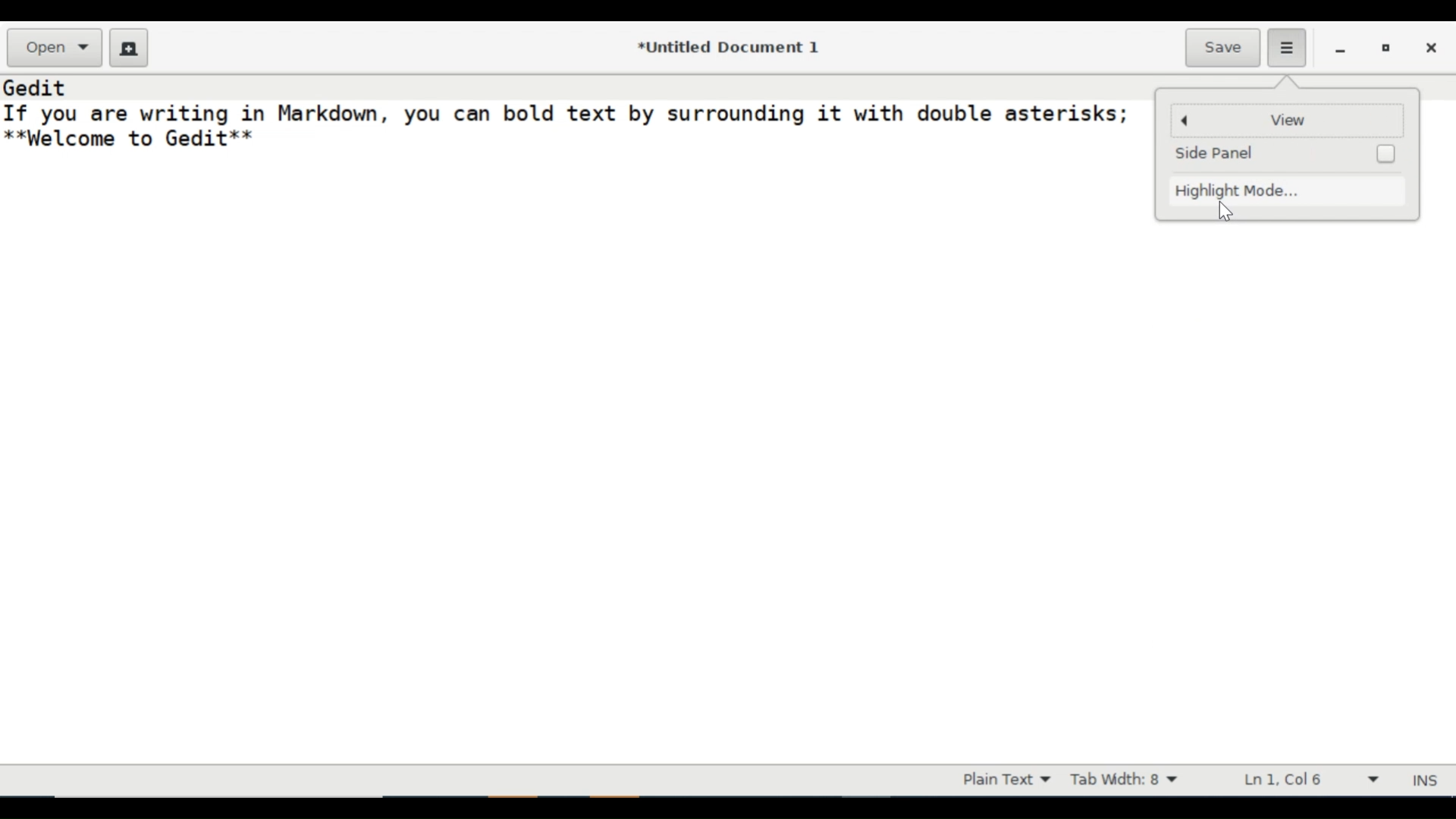  What do you see at coordinates (1246, 193) in the screenshot?
I see `Highlight Mode` at bounding box center [1246, 193].